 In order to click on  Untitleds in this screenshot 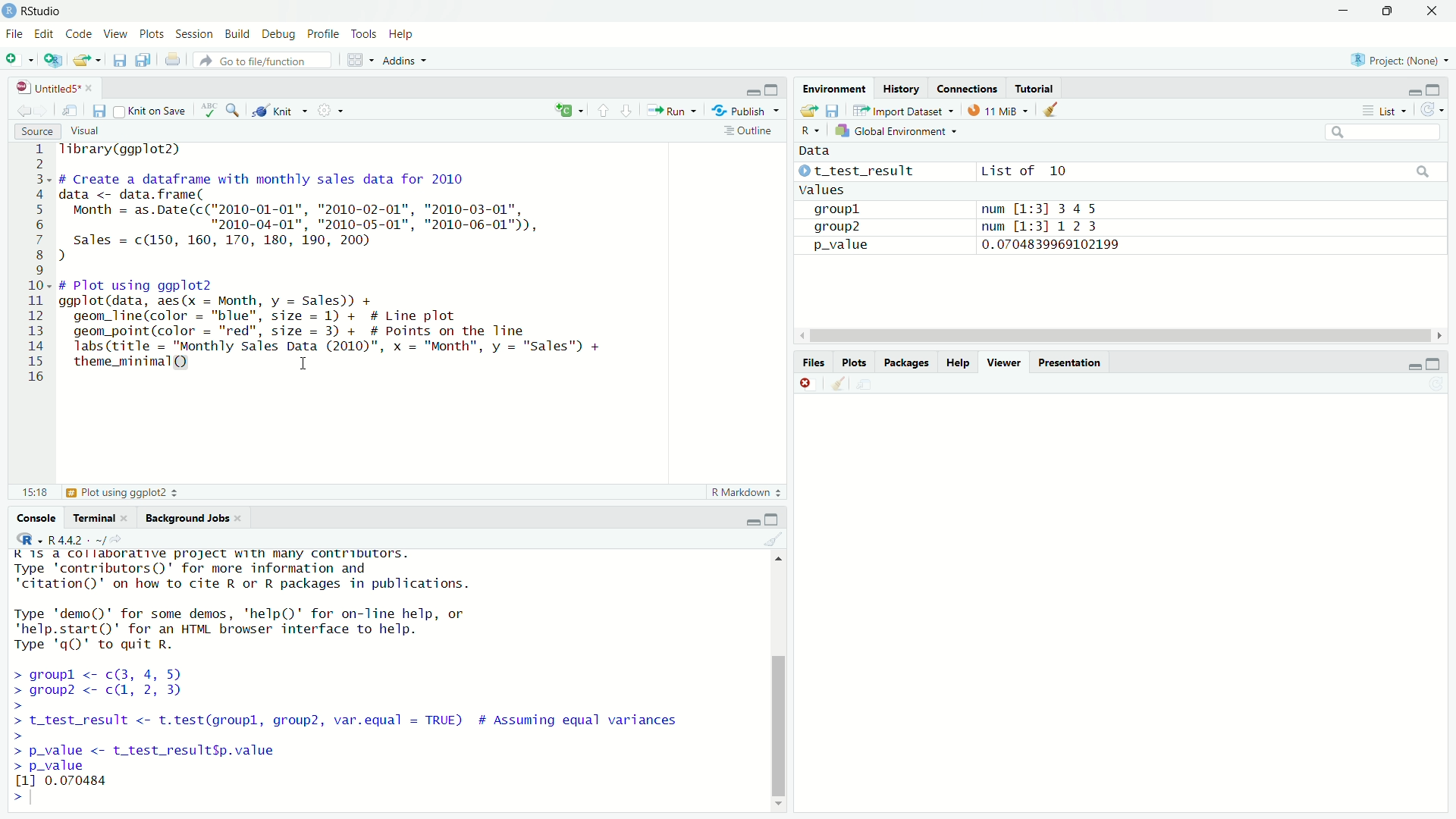, I will do `click(55, 86)`.